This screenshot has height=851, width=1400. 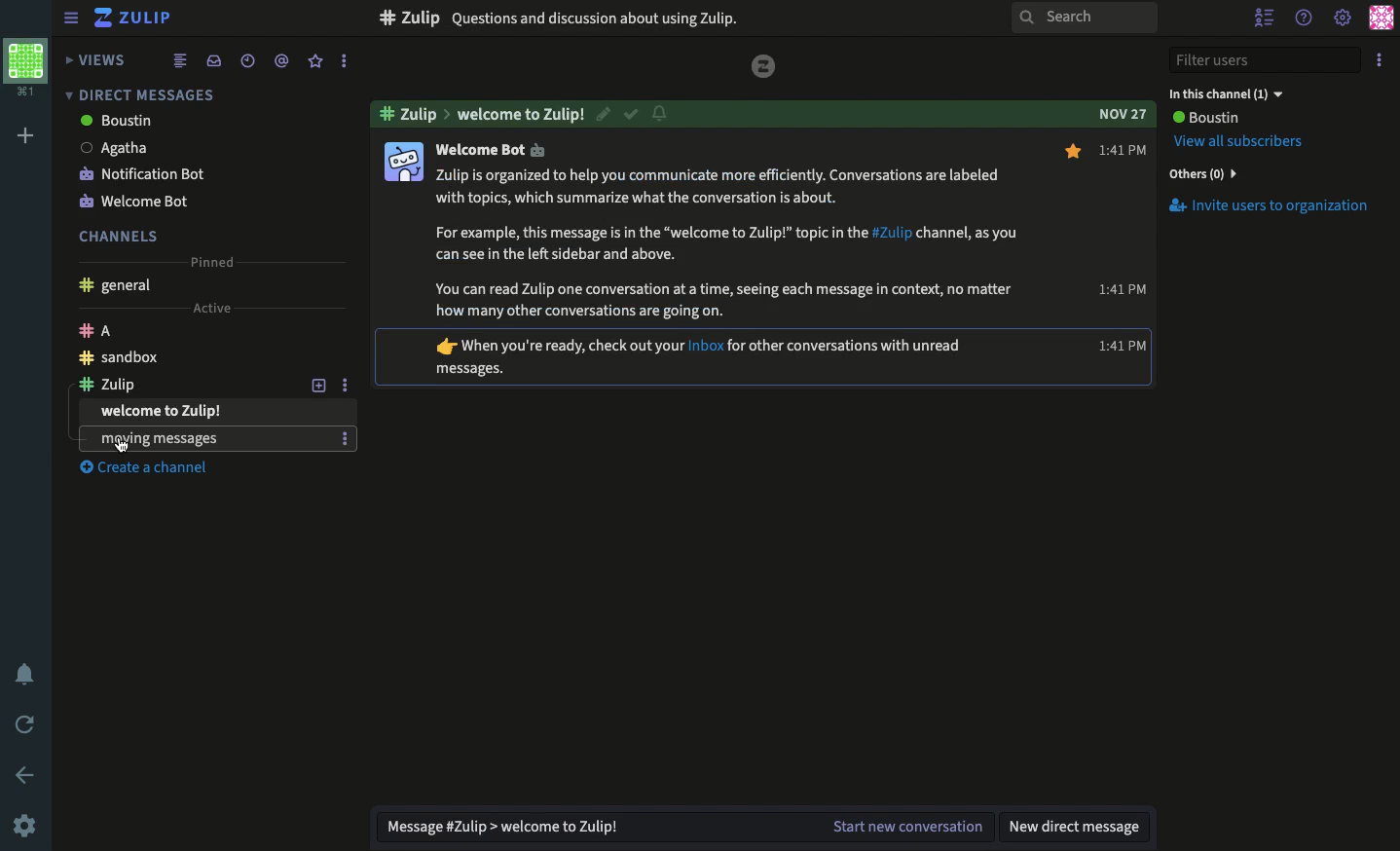 I want to click on inbox hyperlink, so click(x=706, y=345).